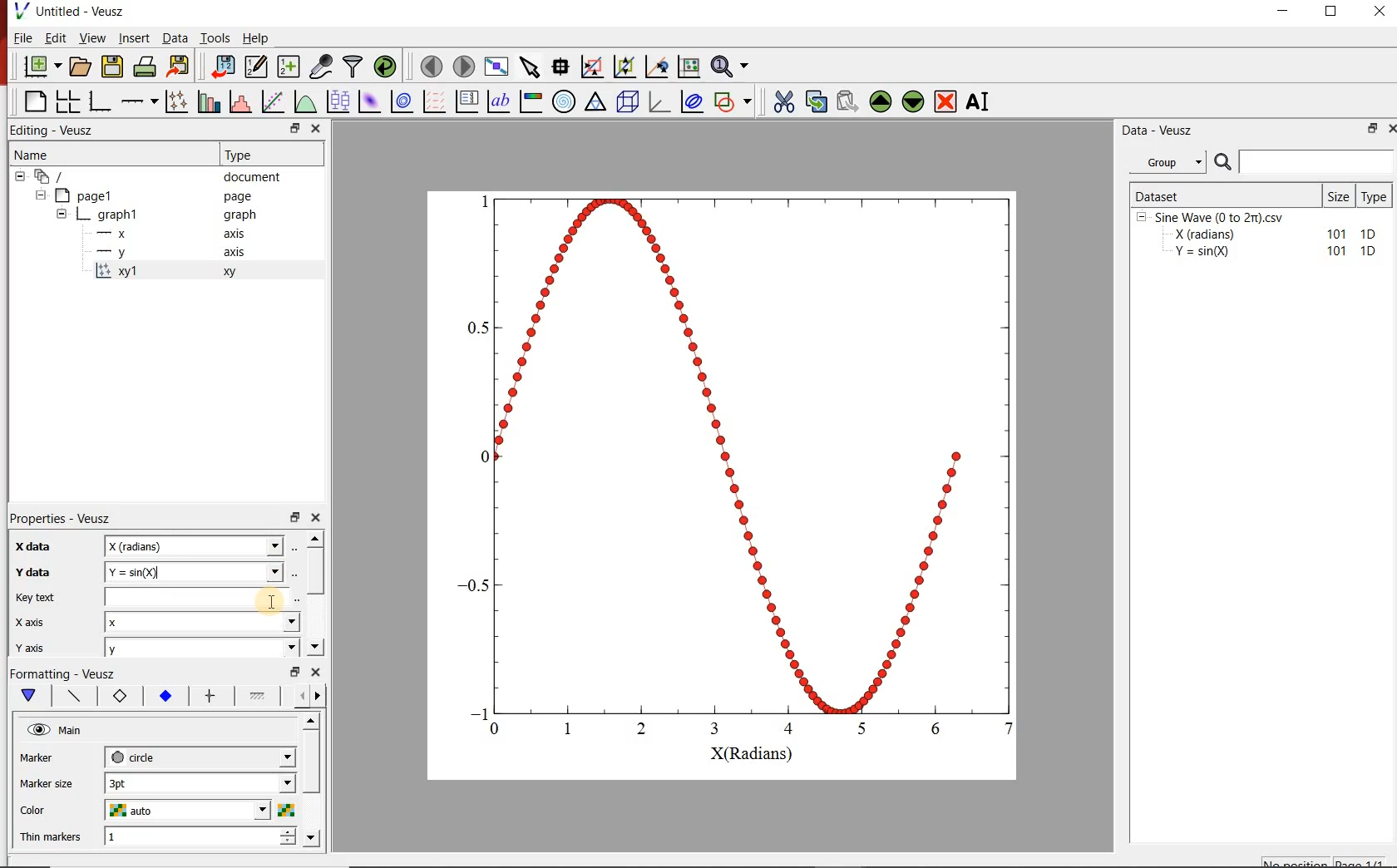 Image resolution: width=1397 pixels, height=868 pixels. I want to click on @ main, so click(54, 731).